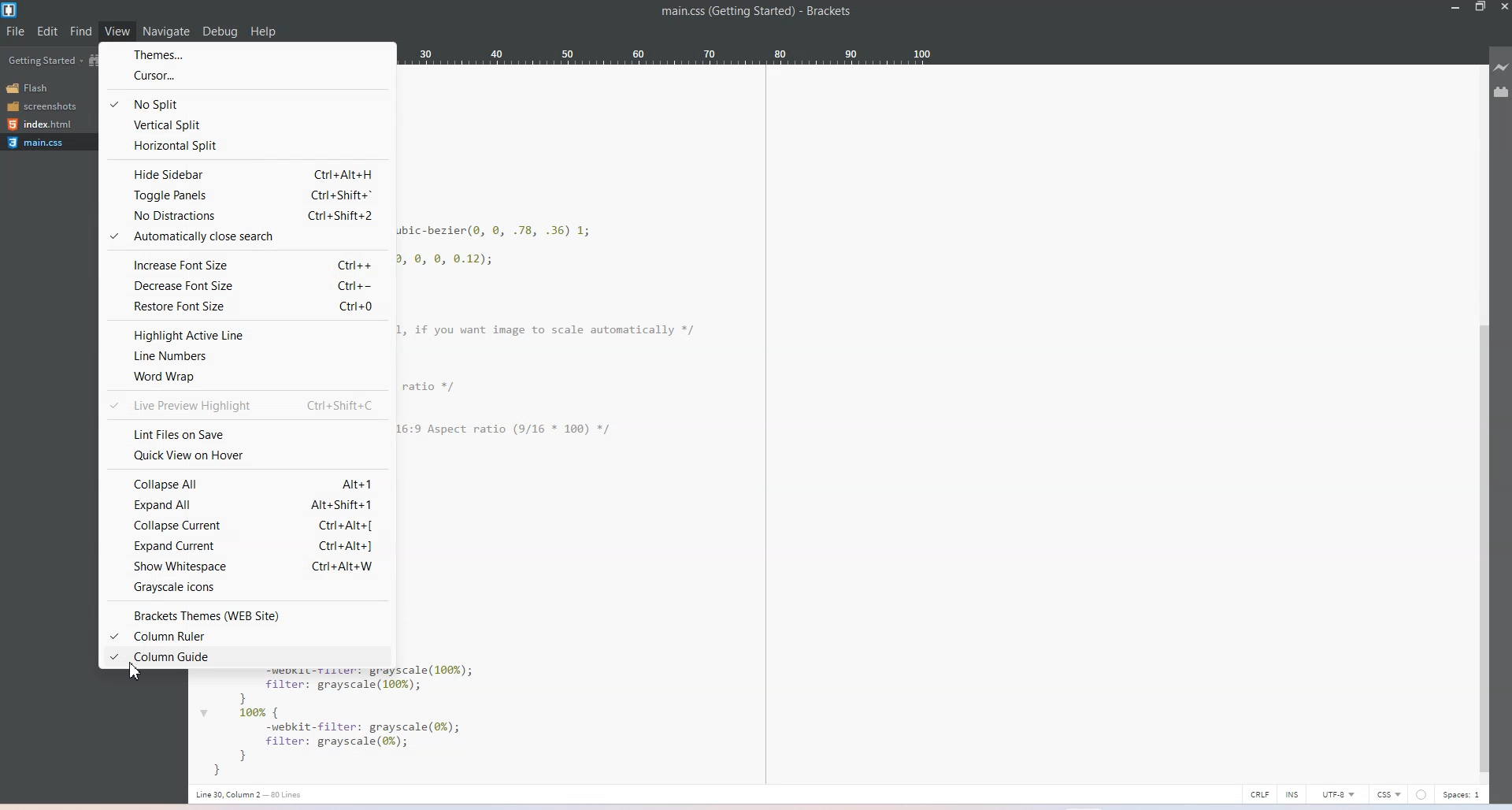 The height and width of the screenshot is (810, 1512). What do you see at coordinates (47, 106) in the screenshot?
I see `Screenshots` at bounding box center [47, 106].